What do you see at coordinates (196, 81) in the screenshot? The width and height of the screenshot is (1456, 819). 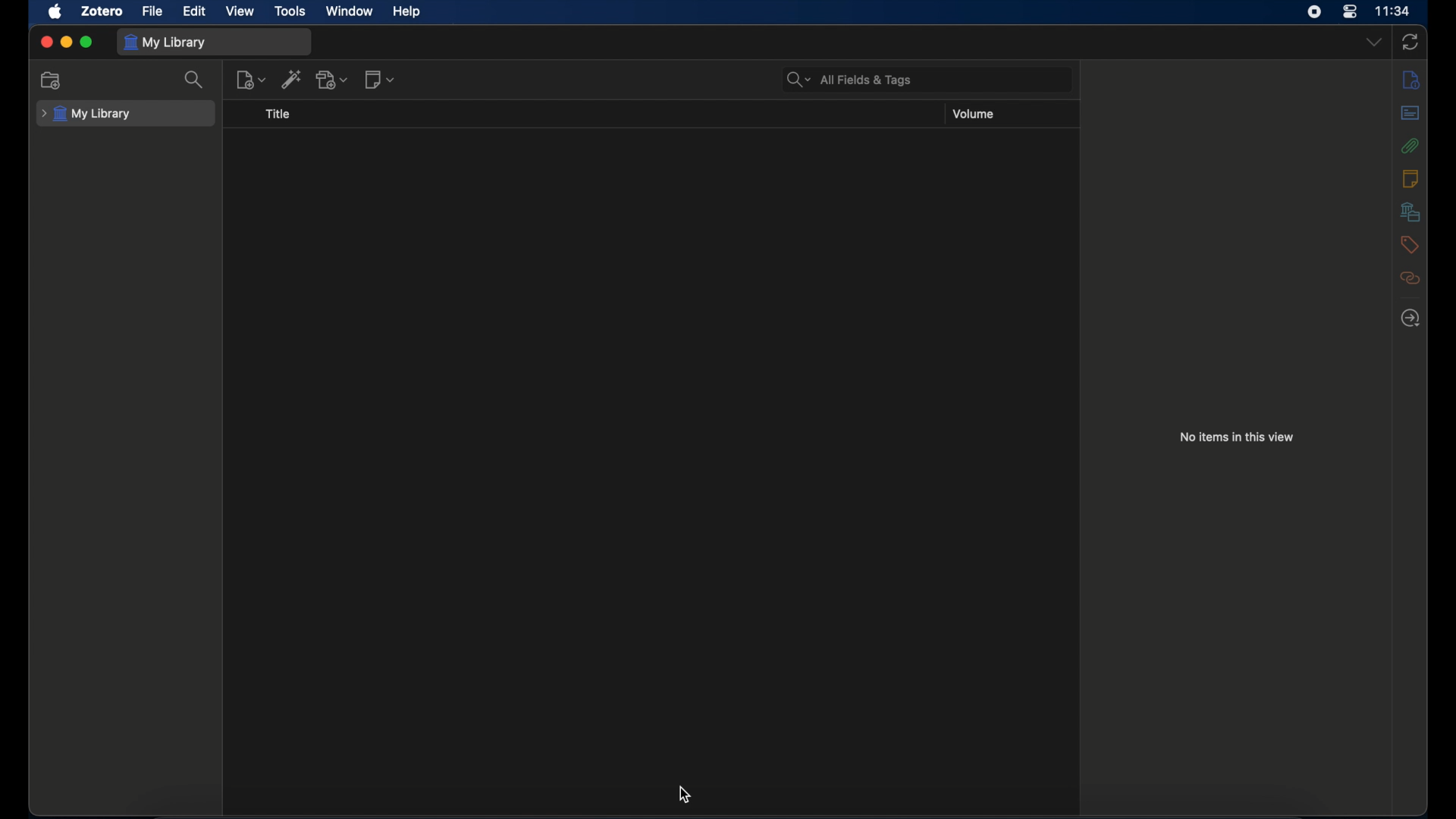 I see `search` at bounding box center [196, 81].